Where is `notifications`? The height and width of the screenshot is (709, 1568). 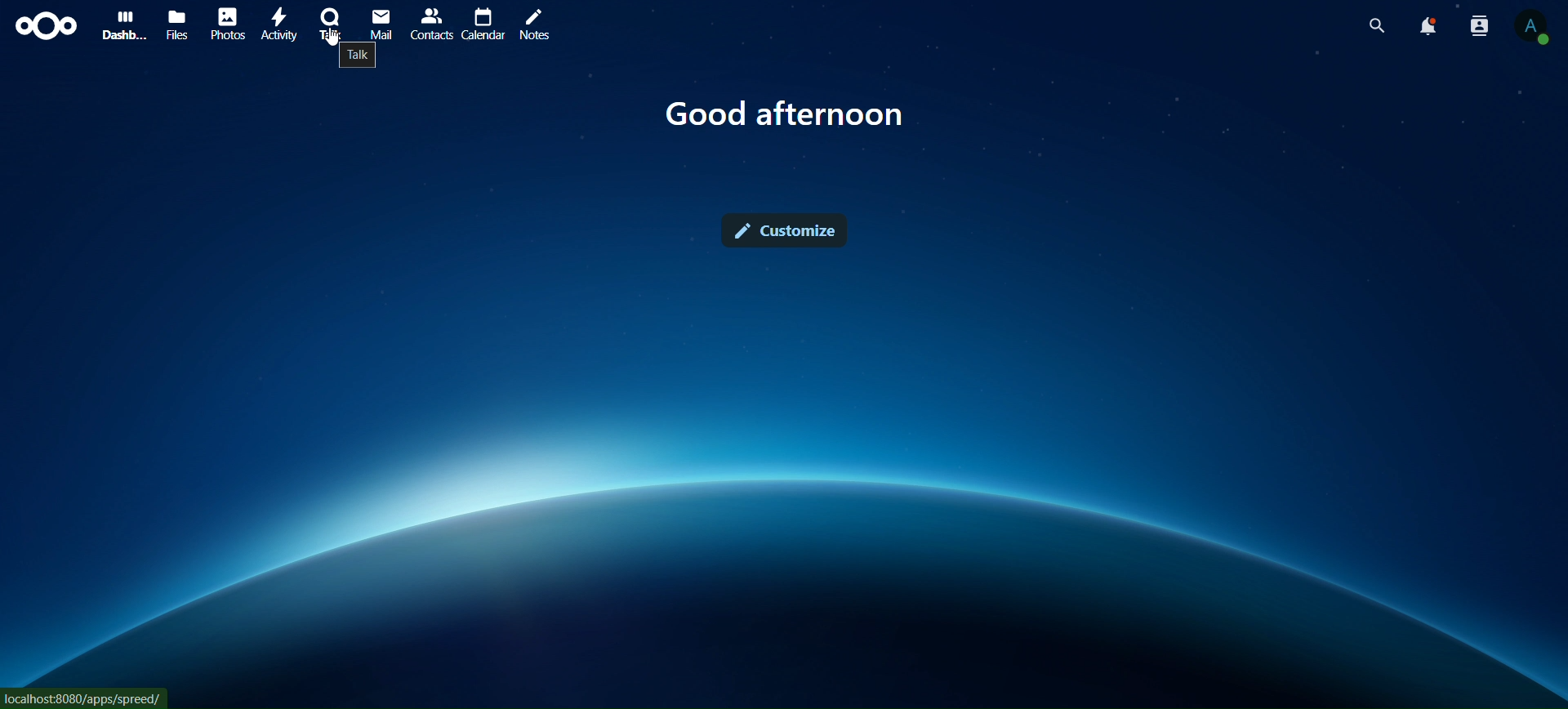 notifications is located at coordinates (1426, 27).